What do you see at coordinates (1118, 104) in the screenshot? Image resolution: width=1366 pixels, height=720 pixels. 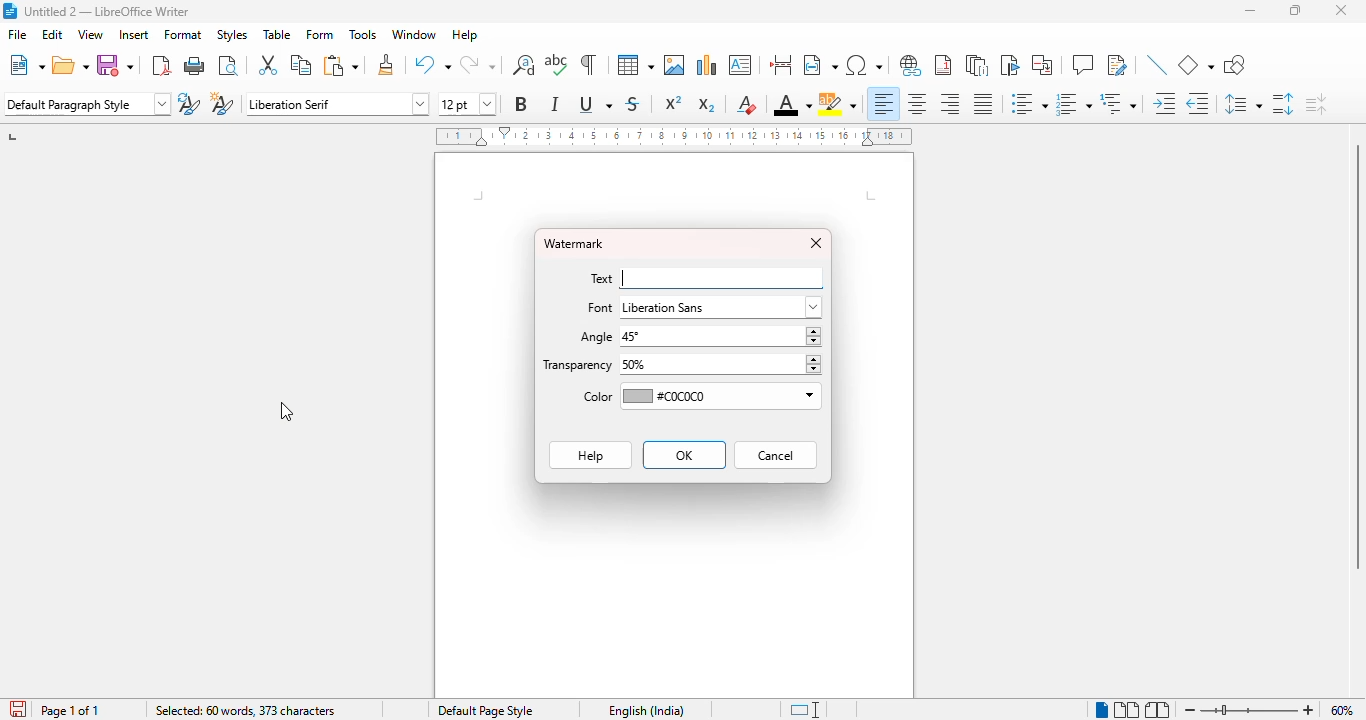 I see `select outline format` at bounding box center [1118, 104].